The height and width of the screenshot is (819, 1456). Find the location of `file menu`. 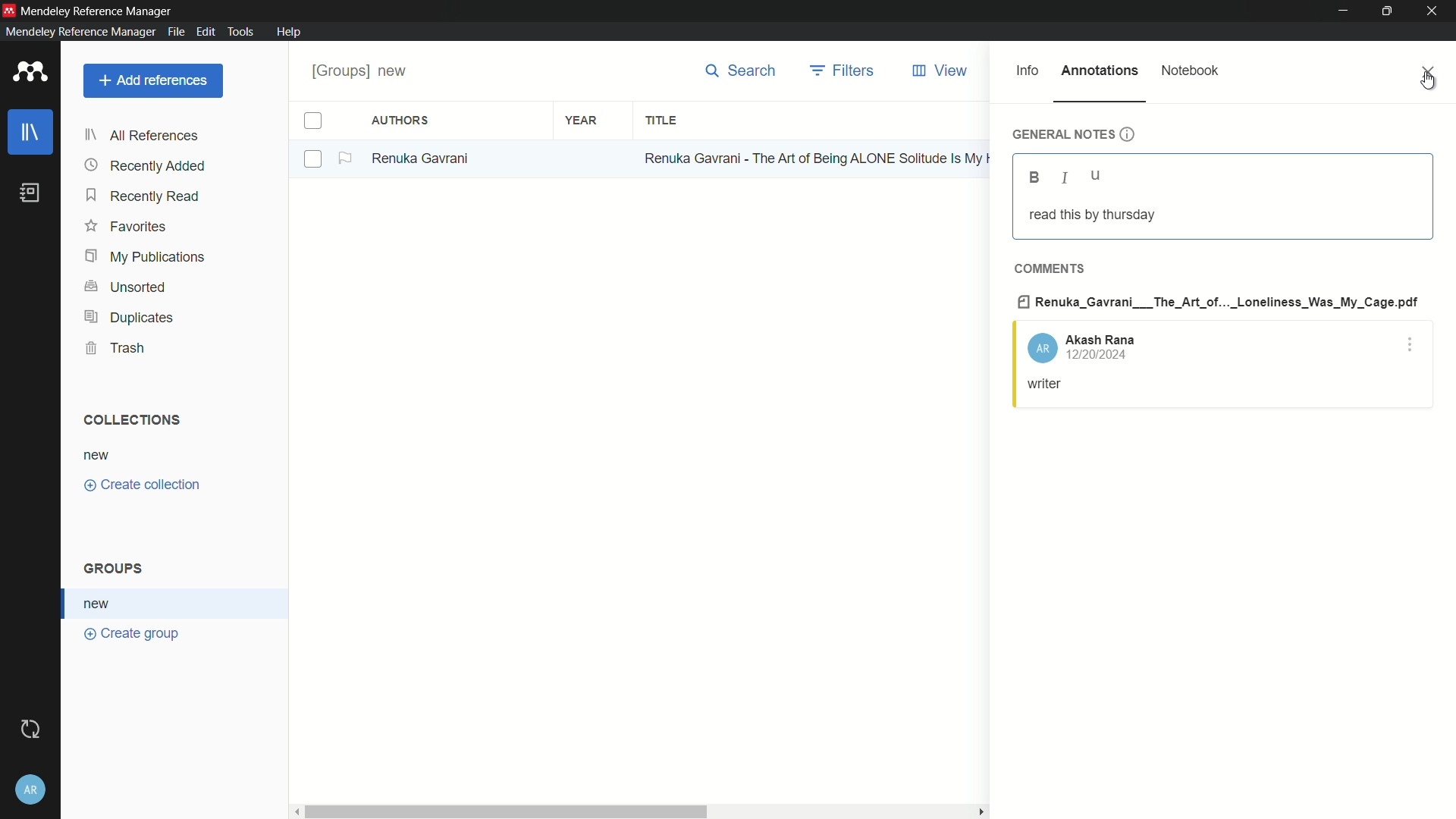

file menu is located at coordinates (176, 32).